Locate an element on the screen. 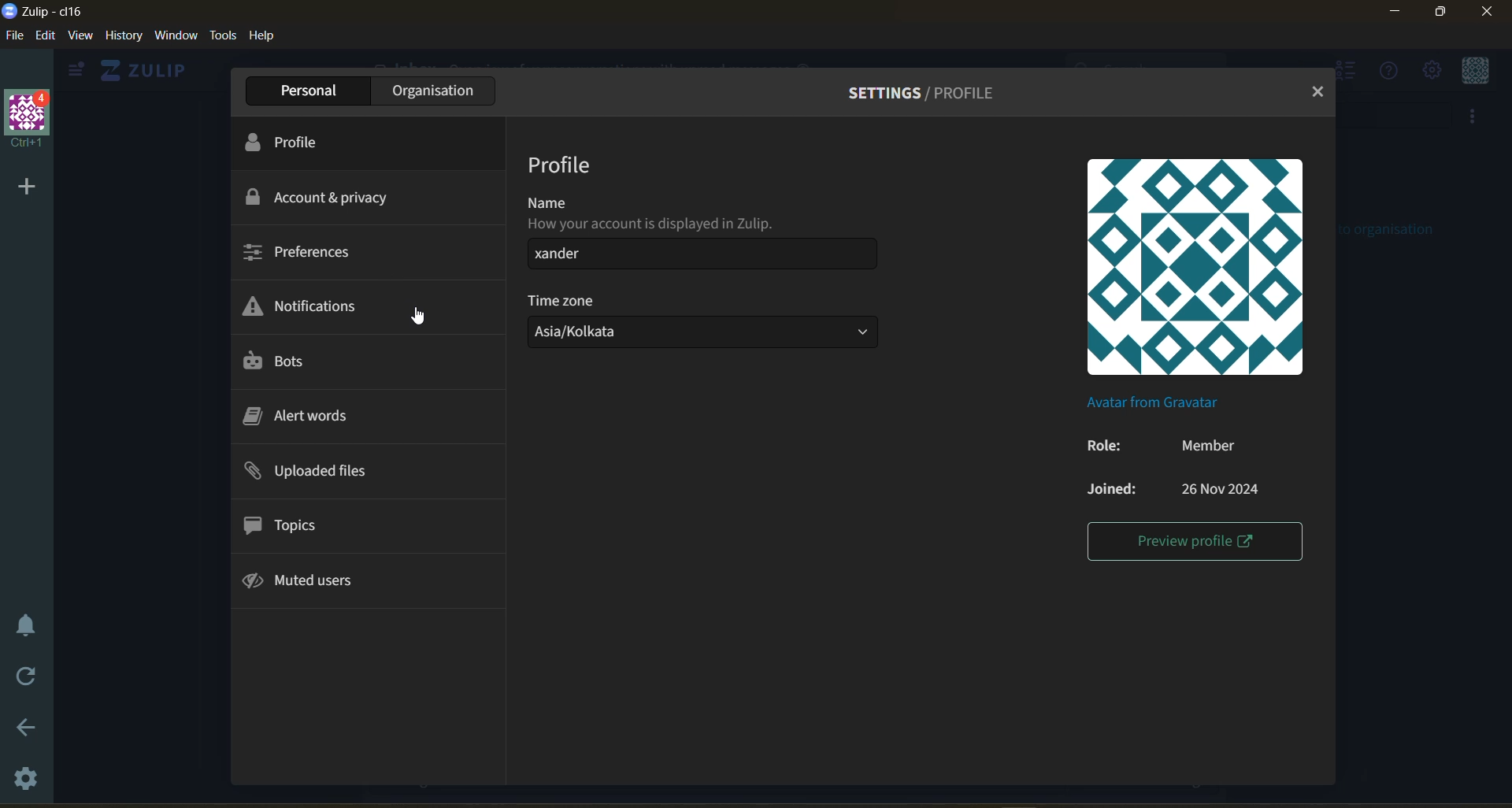 This screenshot has width=1512, height=808. tools is located at coordinates (224, 36).